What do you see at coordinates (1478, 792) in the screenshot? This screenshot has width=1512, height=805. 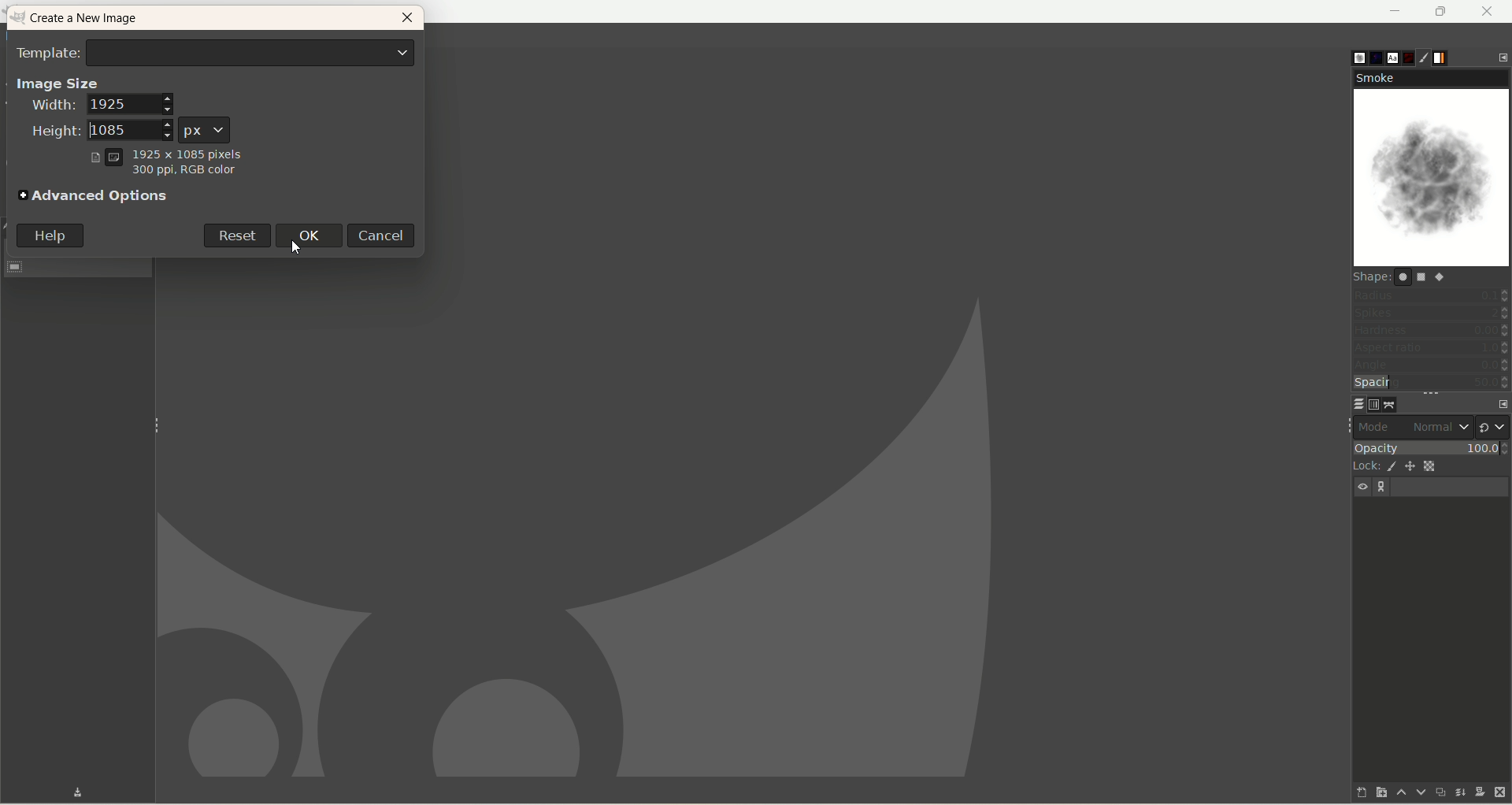 I see `add a mask` at bounding box center [1478, 792].